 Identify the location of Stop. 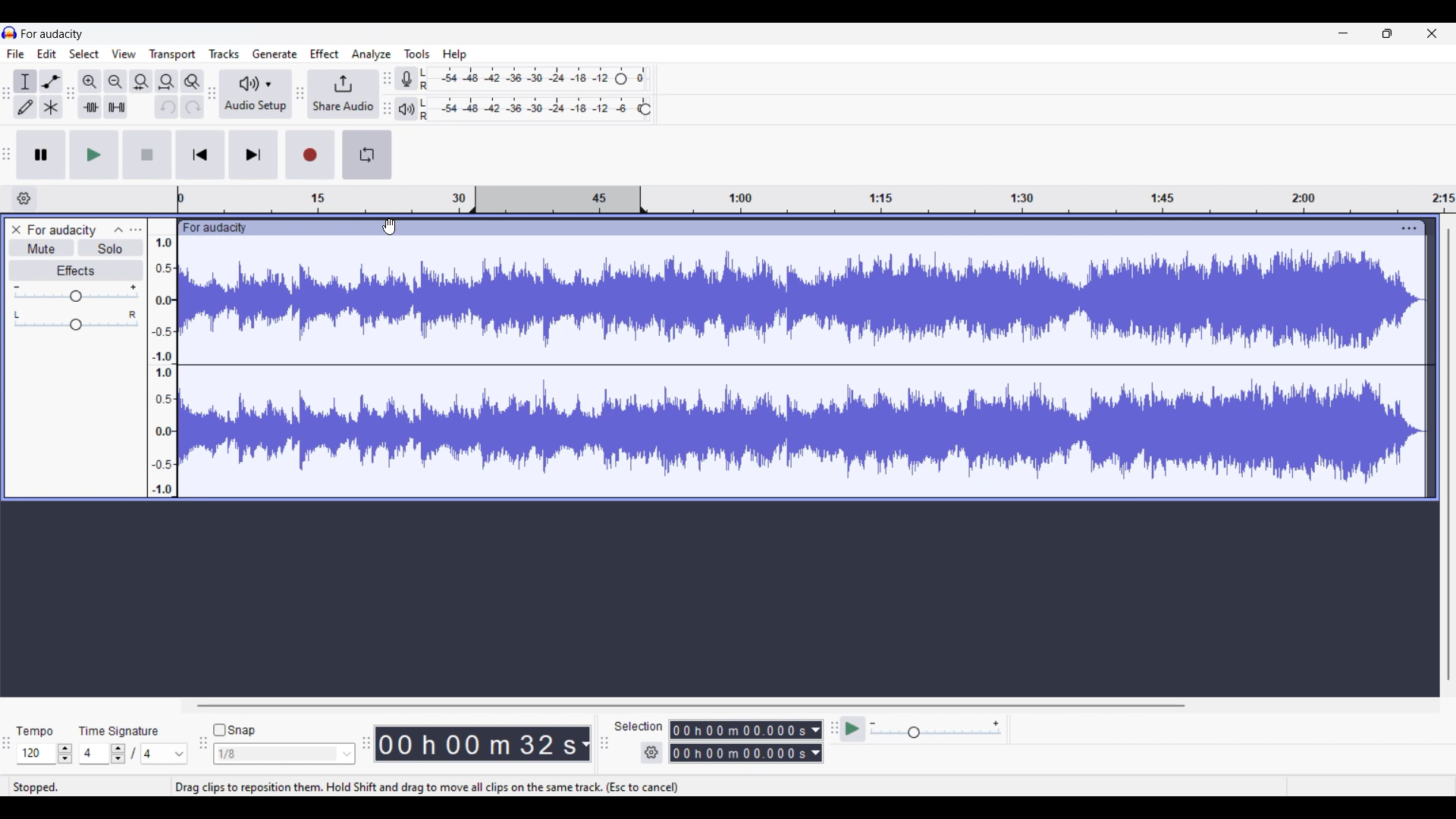
(147, 155).